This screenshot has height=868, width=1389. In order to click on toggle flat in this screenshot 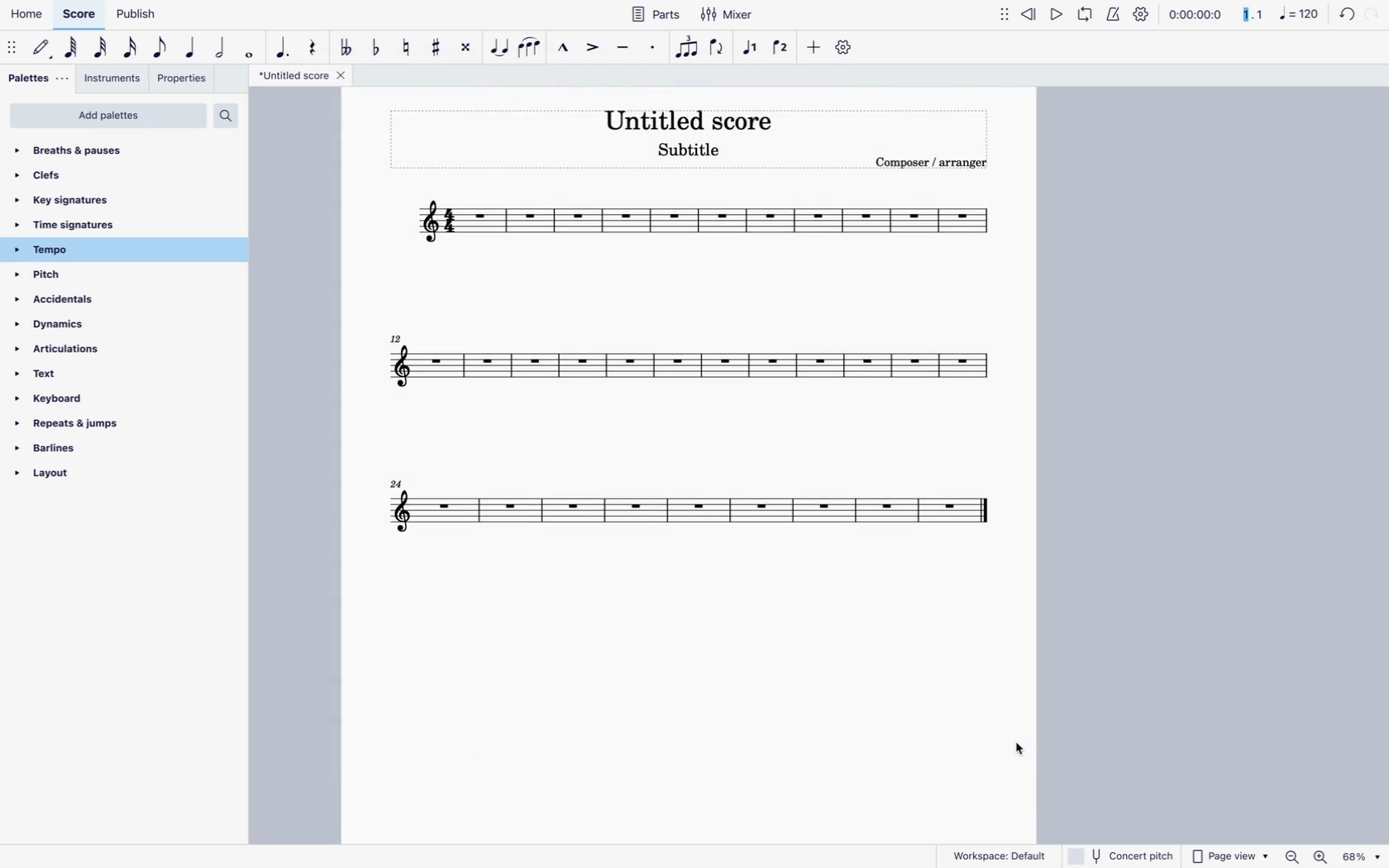, I will do `click(379, 50)`.